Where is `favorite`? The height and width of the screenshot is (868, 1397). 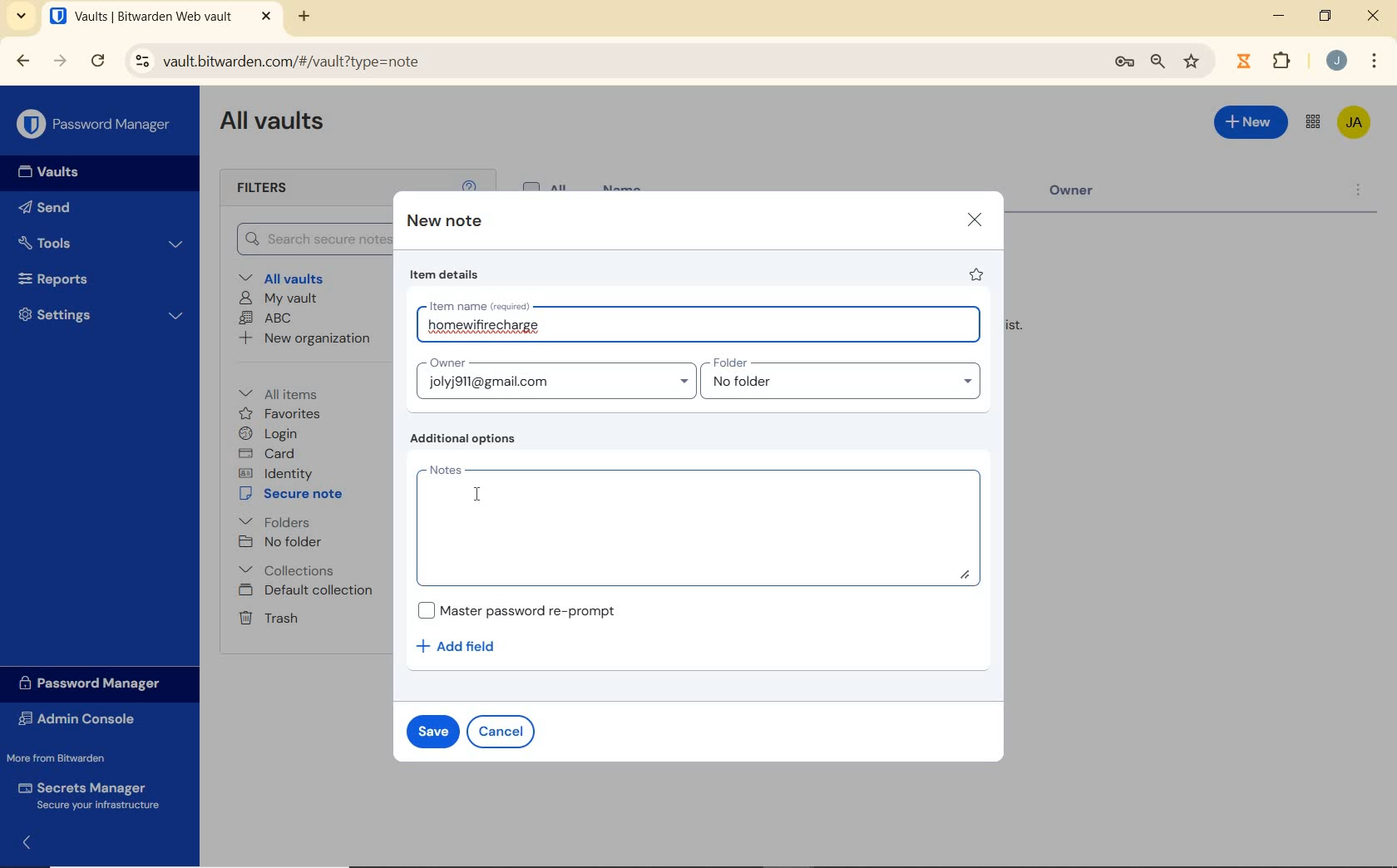 favorite is located at coordinates (978, 274).